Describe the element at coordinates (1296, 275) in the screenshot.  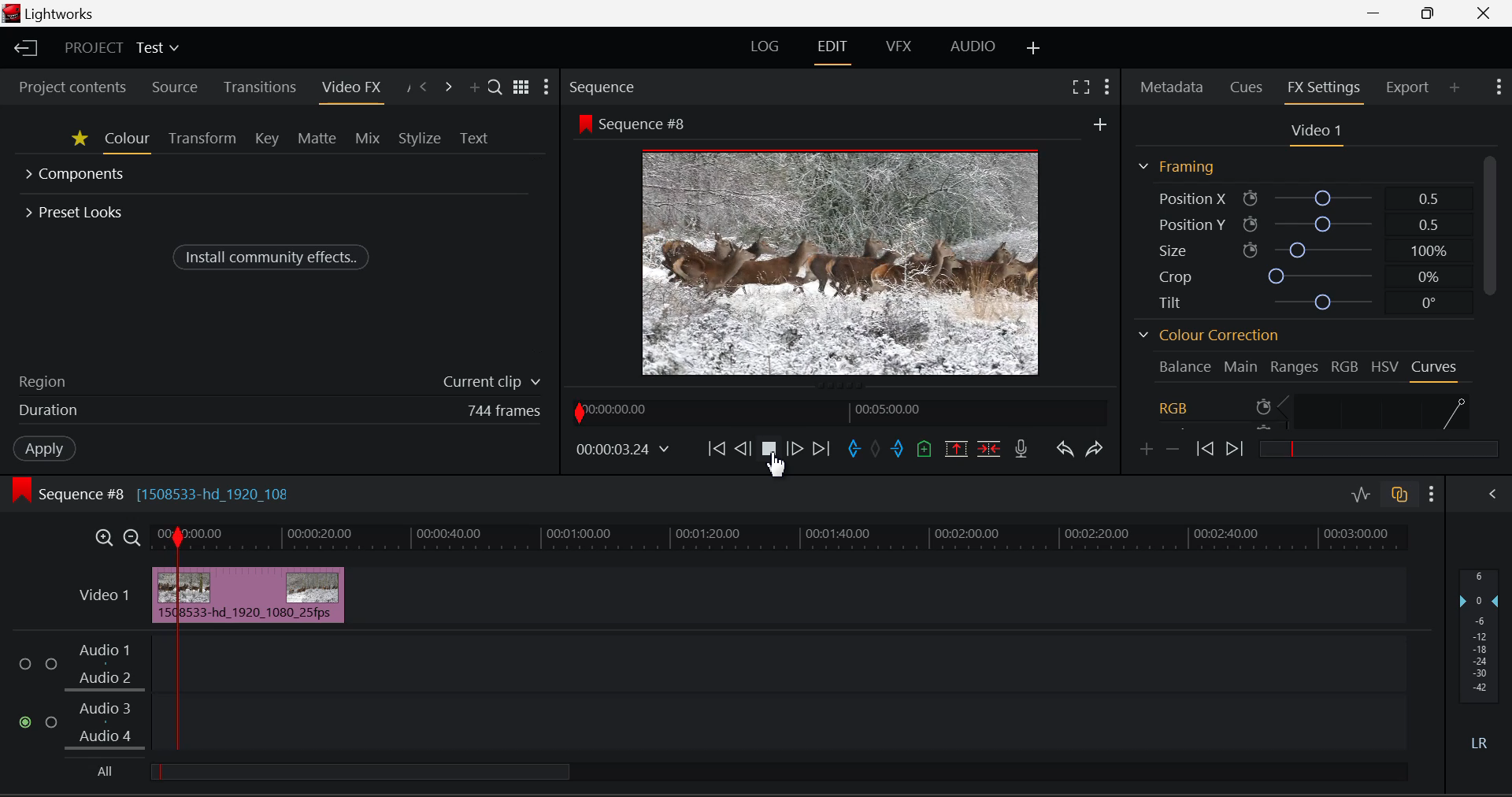
I see `Crop` at that location.